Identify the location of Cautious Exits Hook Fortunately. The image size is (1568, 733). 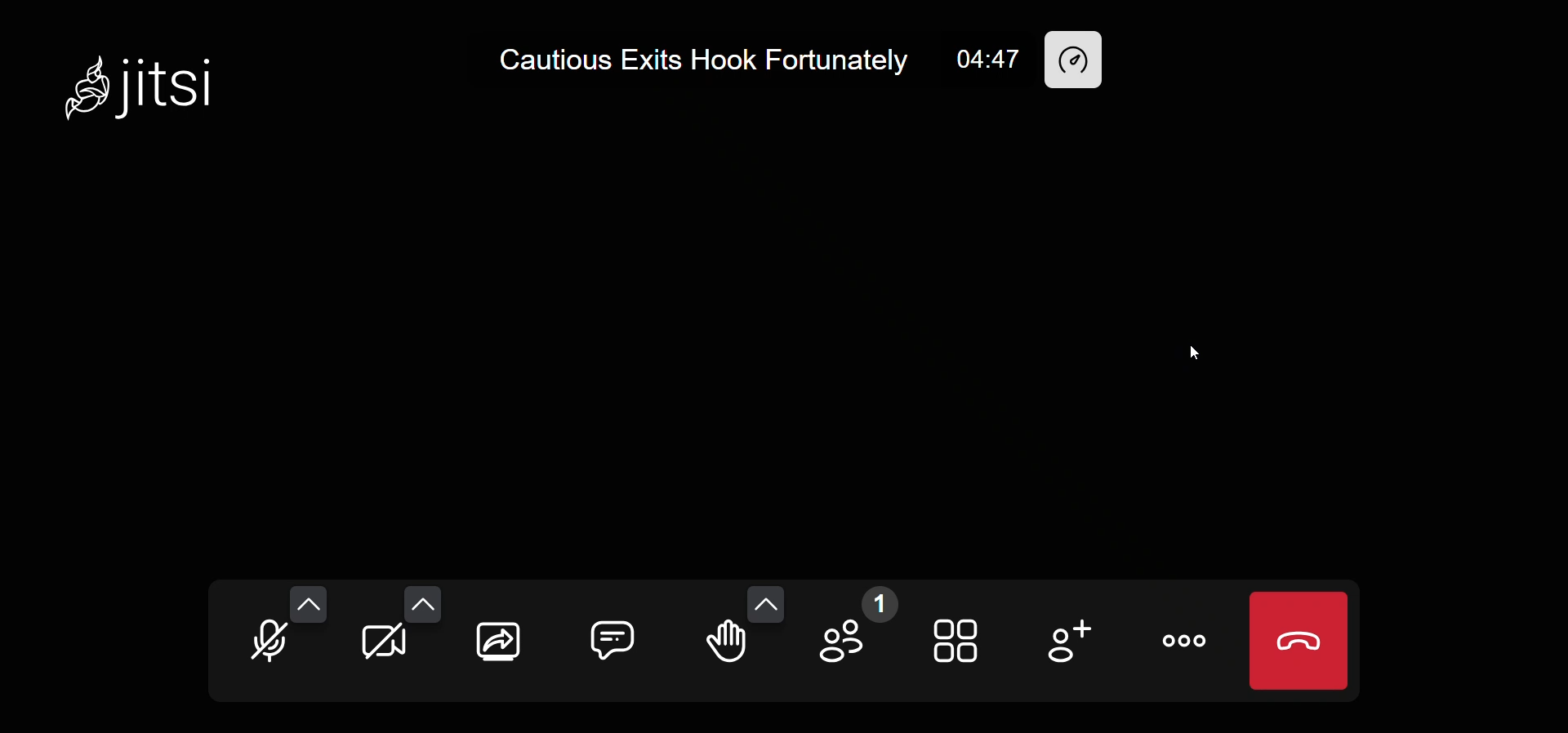
(696, 58).